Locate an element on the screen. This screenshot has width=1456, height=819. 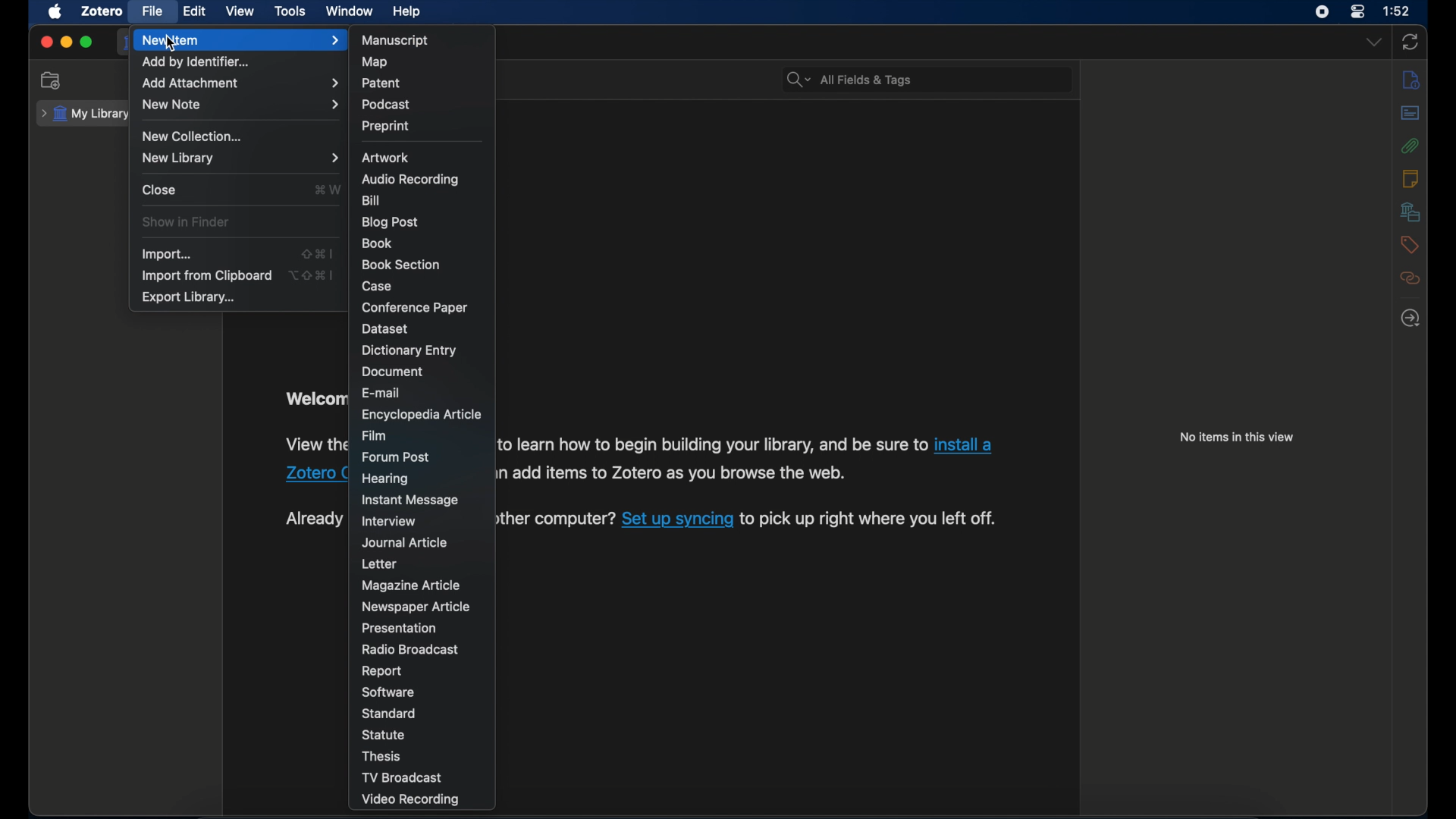
to pick up right where you left off. is located at coordinates (868, 519).